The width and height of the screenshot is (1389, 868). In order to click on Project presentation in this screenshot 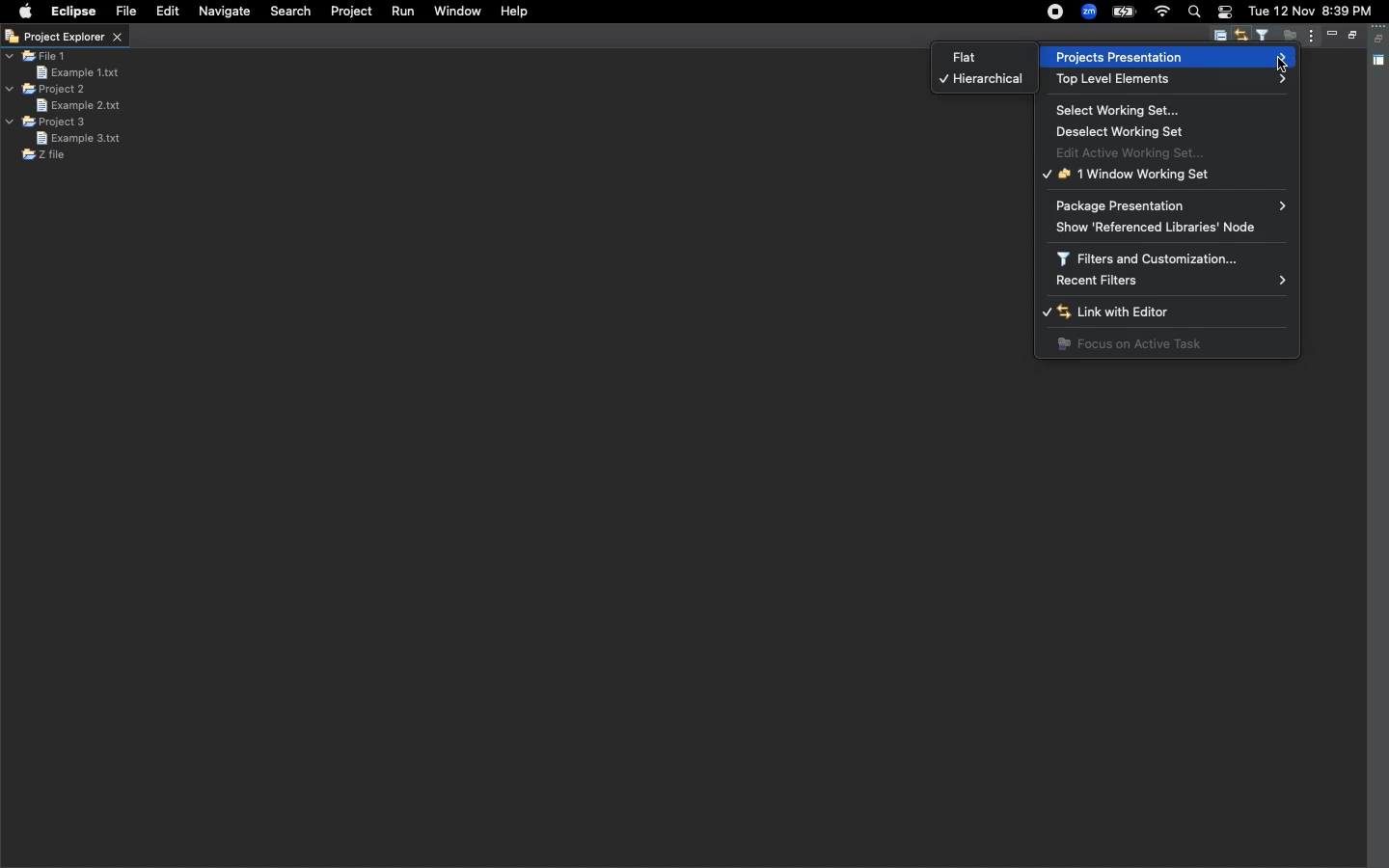, I will do `click(1166, 56)`.